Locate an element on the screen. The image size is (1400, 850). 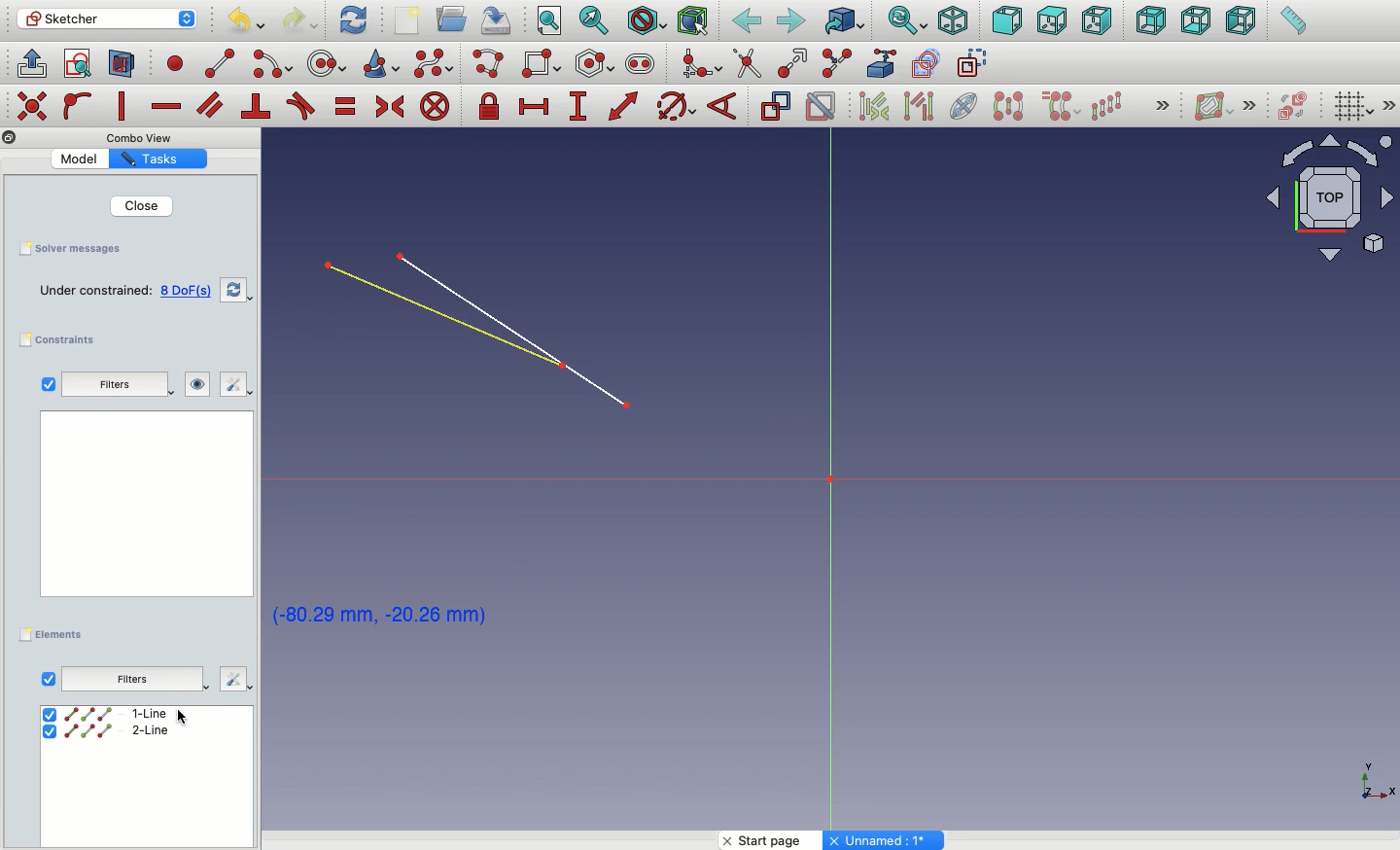
 is located at coordinates (180, 715).